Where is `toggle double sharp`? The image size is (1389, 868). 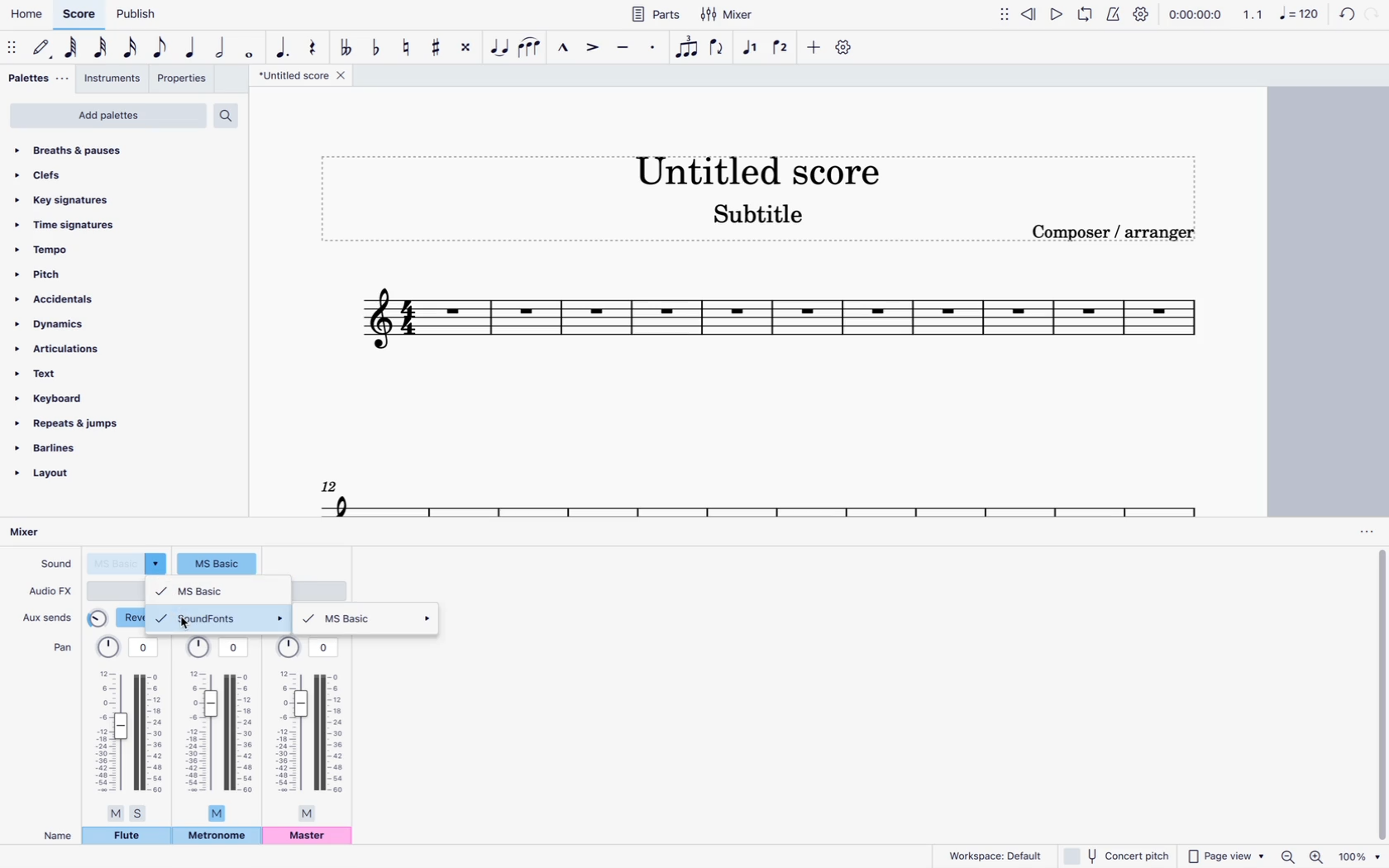
toggle double sharp is located at coordinates (469, 46).